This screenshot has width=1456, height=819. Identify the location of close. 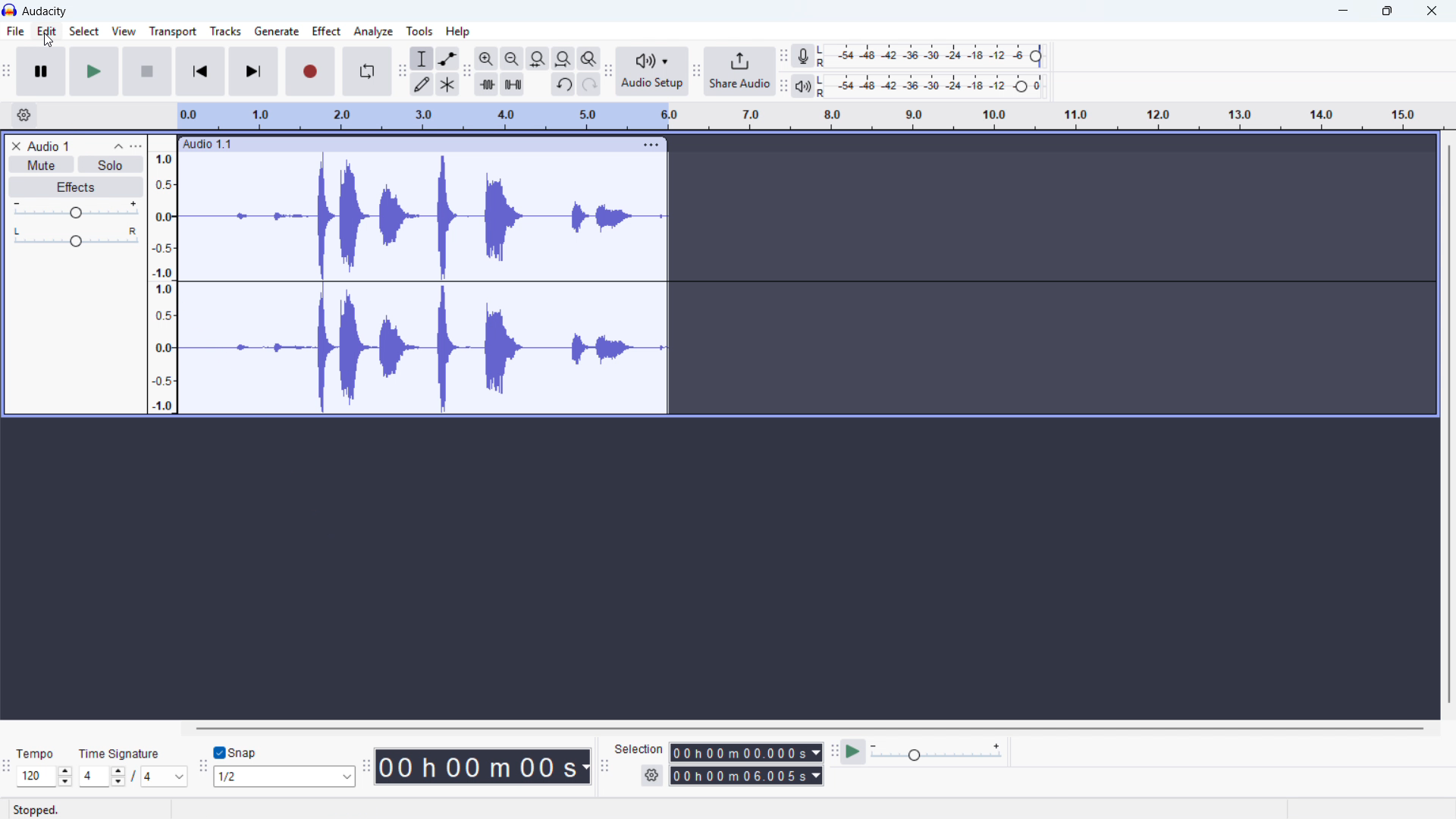
(1430, 11).